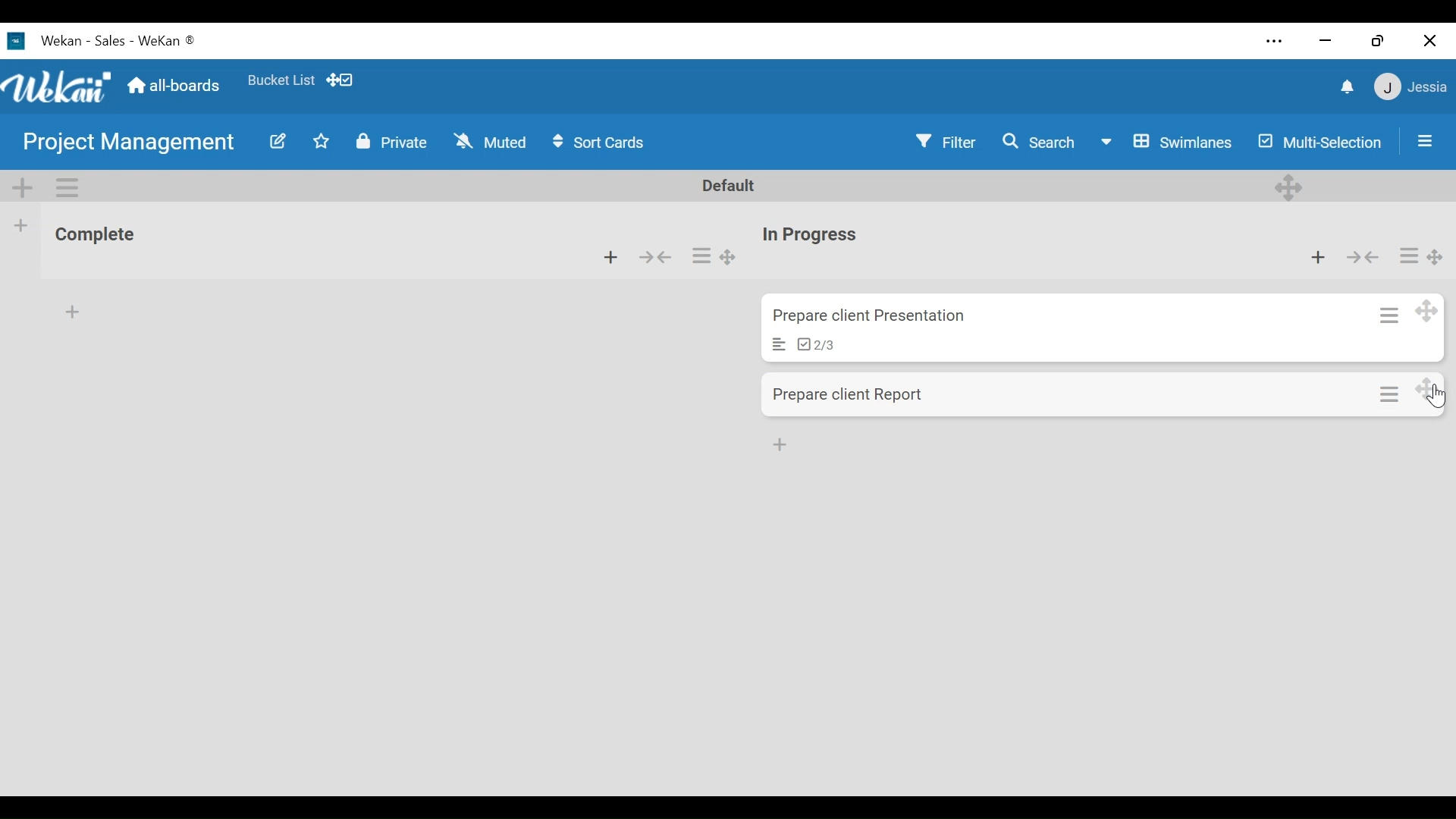 This screenshot has width=1456, height=819. What do you see at coordinates (1385, 311) in the screenshot?
I see `Card actions` at bounding box center [1385, 311].